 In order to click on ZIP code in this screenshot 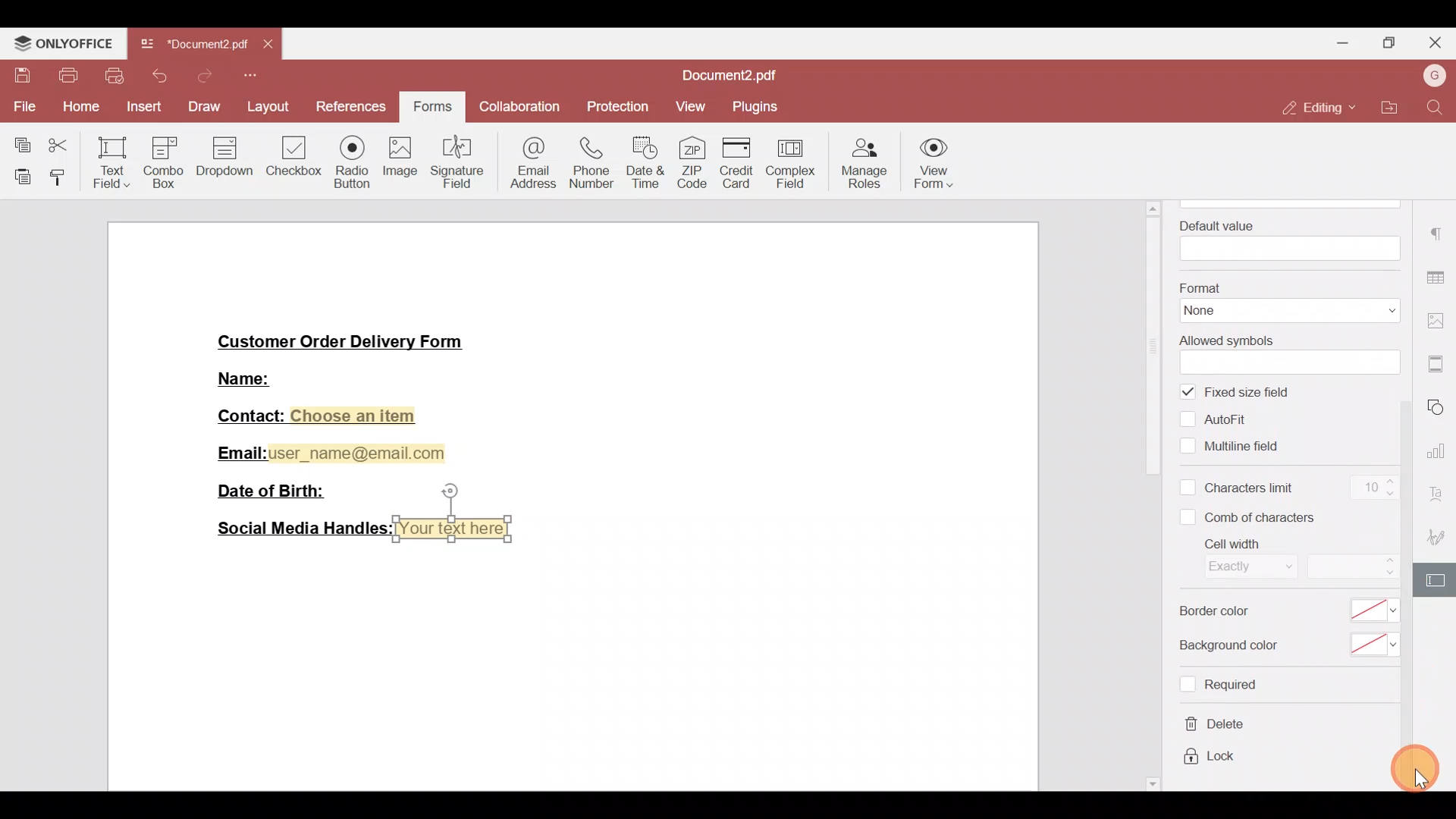, I will do `click(692, 159)`.